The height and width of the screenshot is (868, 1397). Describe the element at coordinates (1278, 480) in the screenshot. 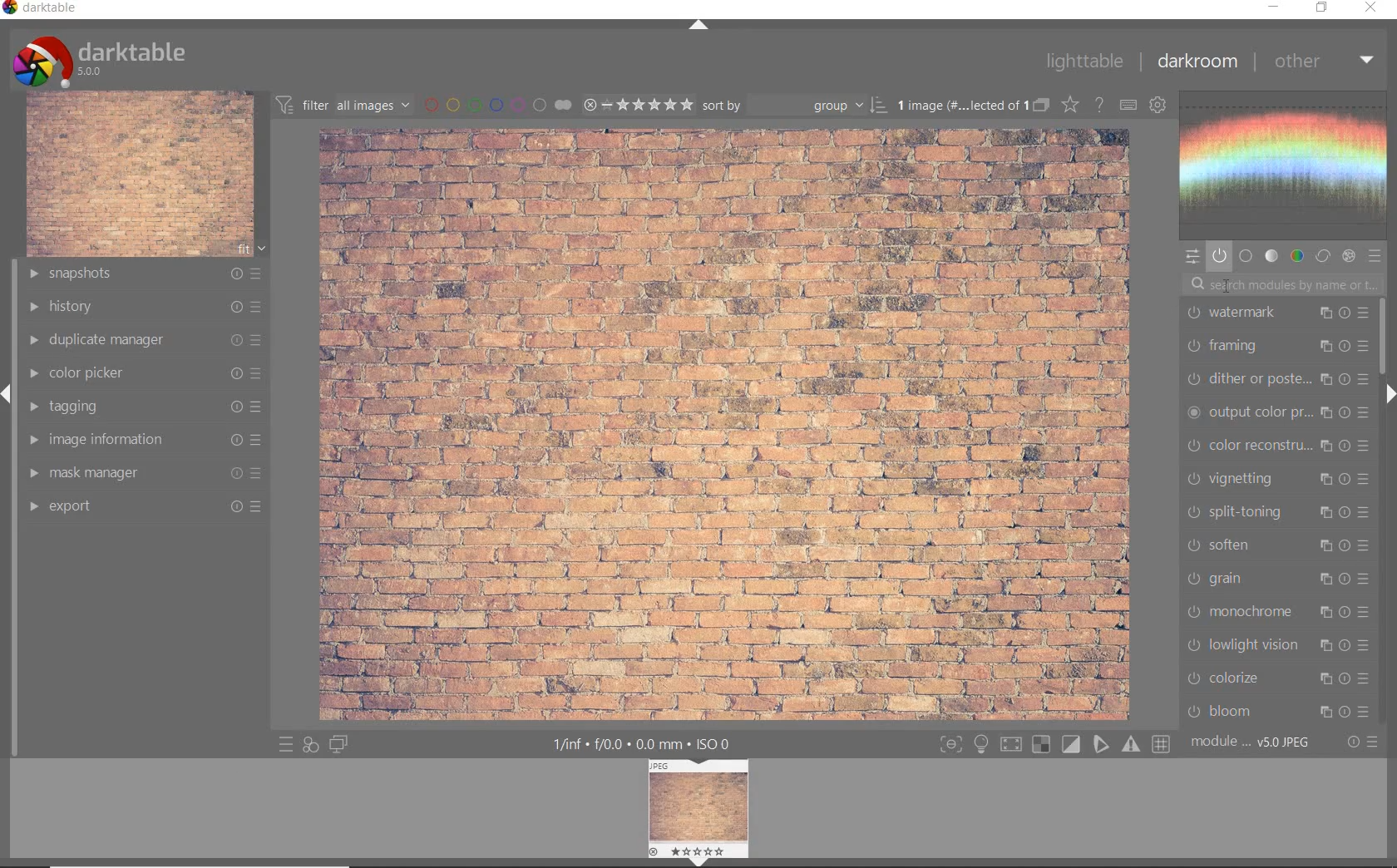

I see `vignetting` at that location.